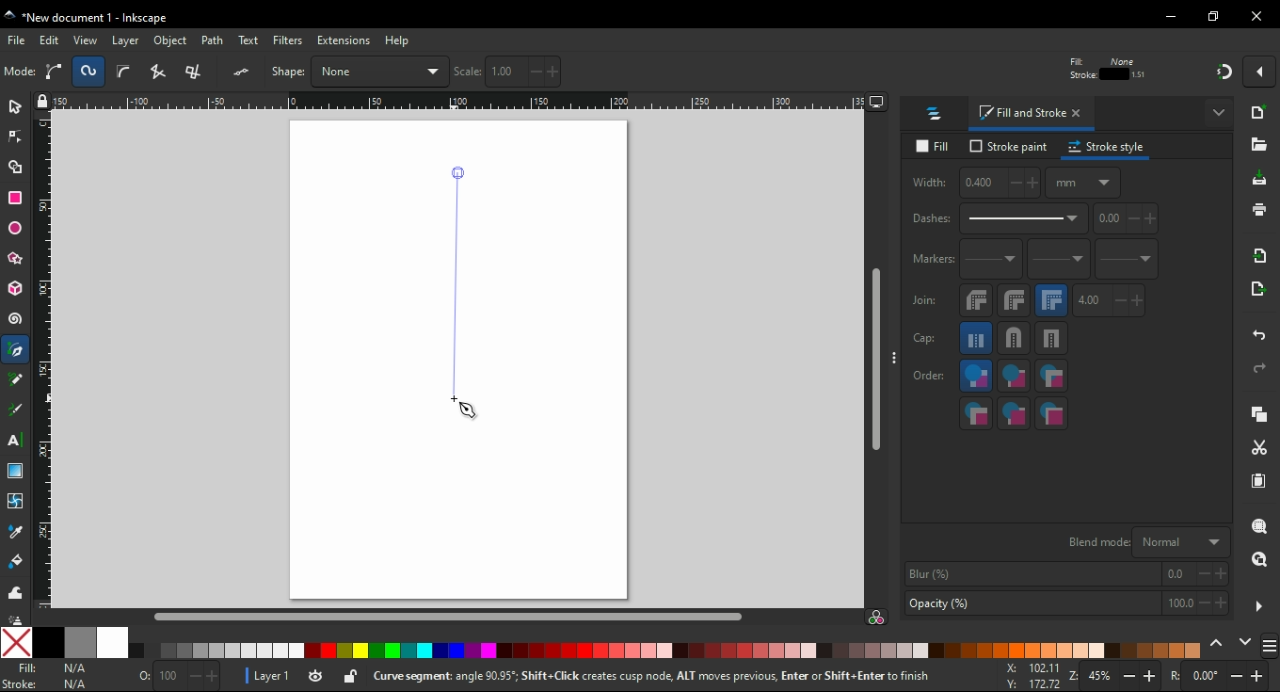  Describe the element at coordinates (877, 360) in the screenshot. I see `scroll bar` at that location.